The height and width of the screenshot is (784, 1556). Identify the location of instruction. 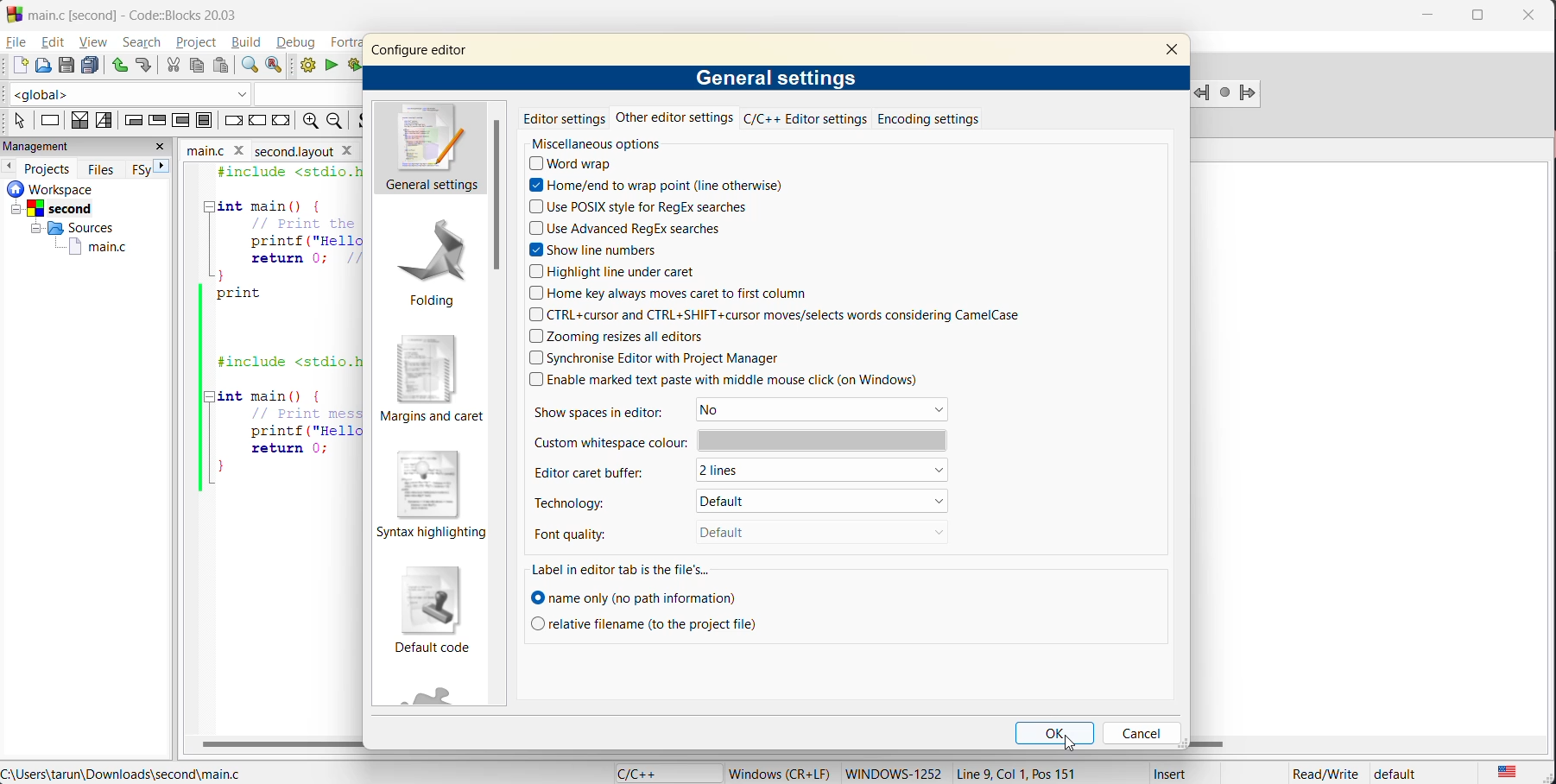
(51, 120).